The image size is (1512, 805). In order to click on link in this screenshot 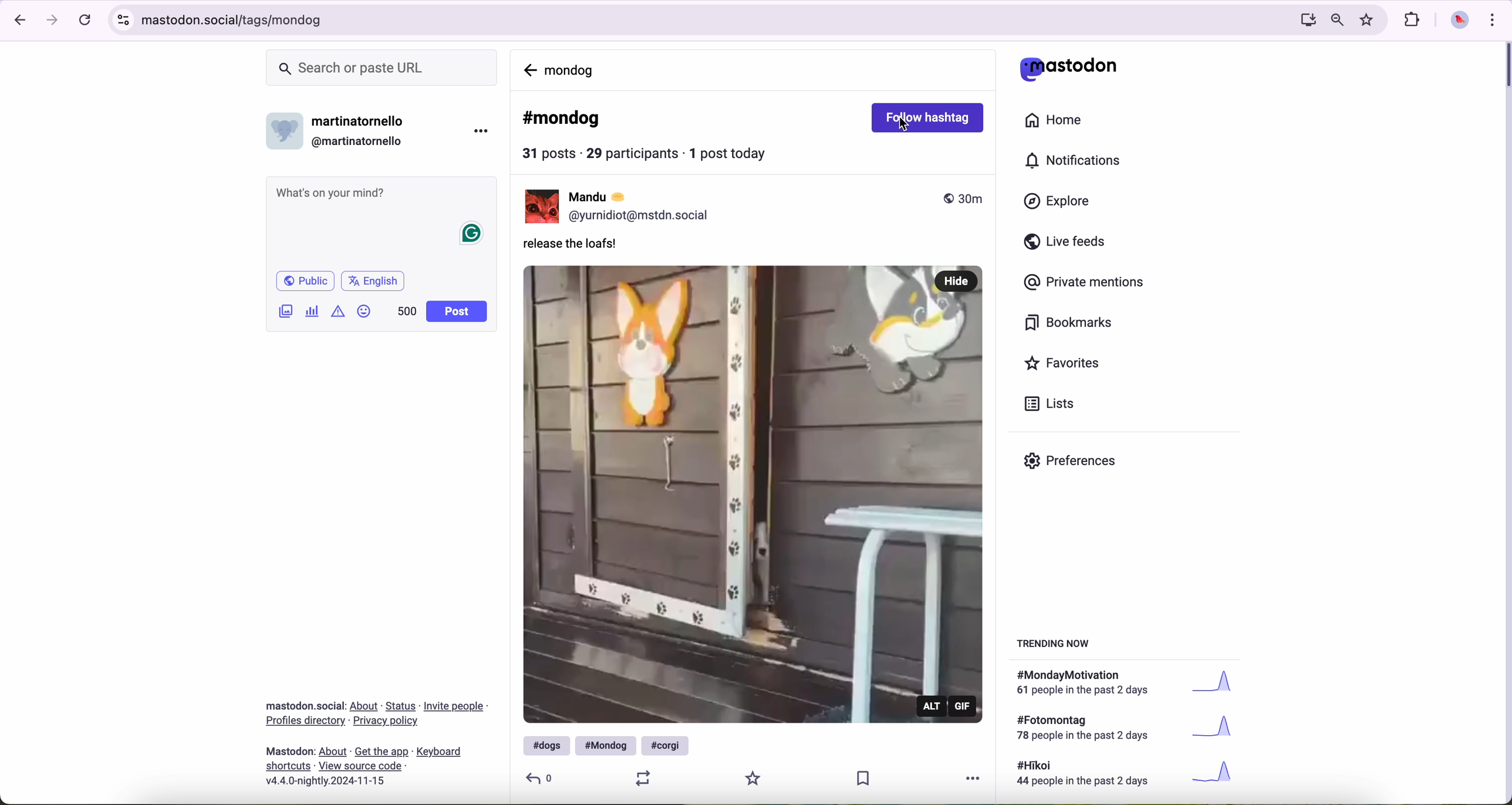, I will do `click(387, 720)`.